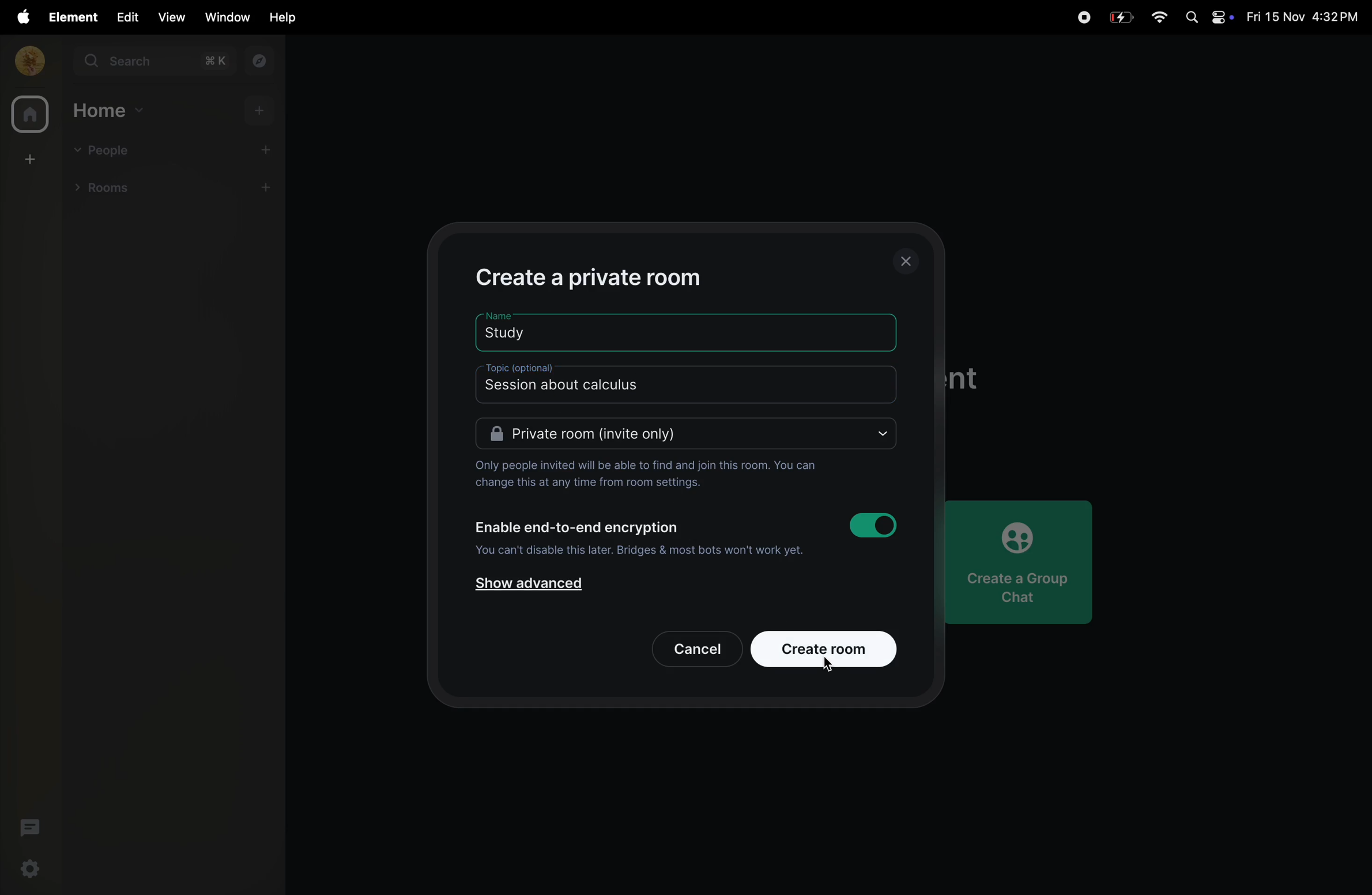 This screenshot has width=1372, height=895. What do you see at coordinates (688, 646) in the screenshot?
I see `cancel` at bounding box center [688, 646].